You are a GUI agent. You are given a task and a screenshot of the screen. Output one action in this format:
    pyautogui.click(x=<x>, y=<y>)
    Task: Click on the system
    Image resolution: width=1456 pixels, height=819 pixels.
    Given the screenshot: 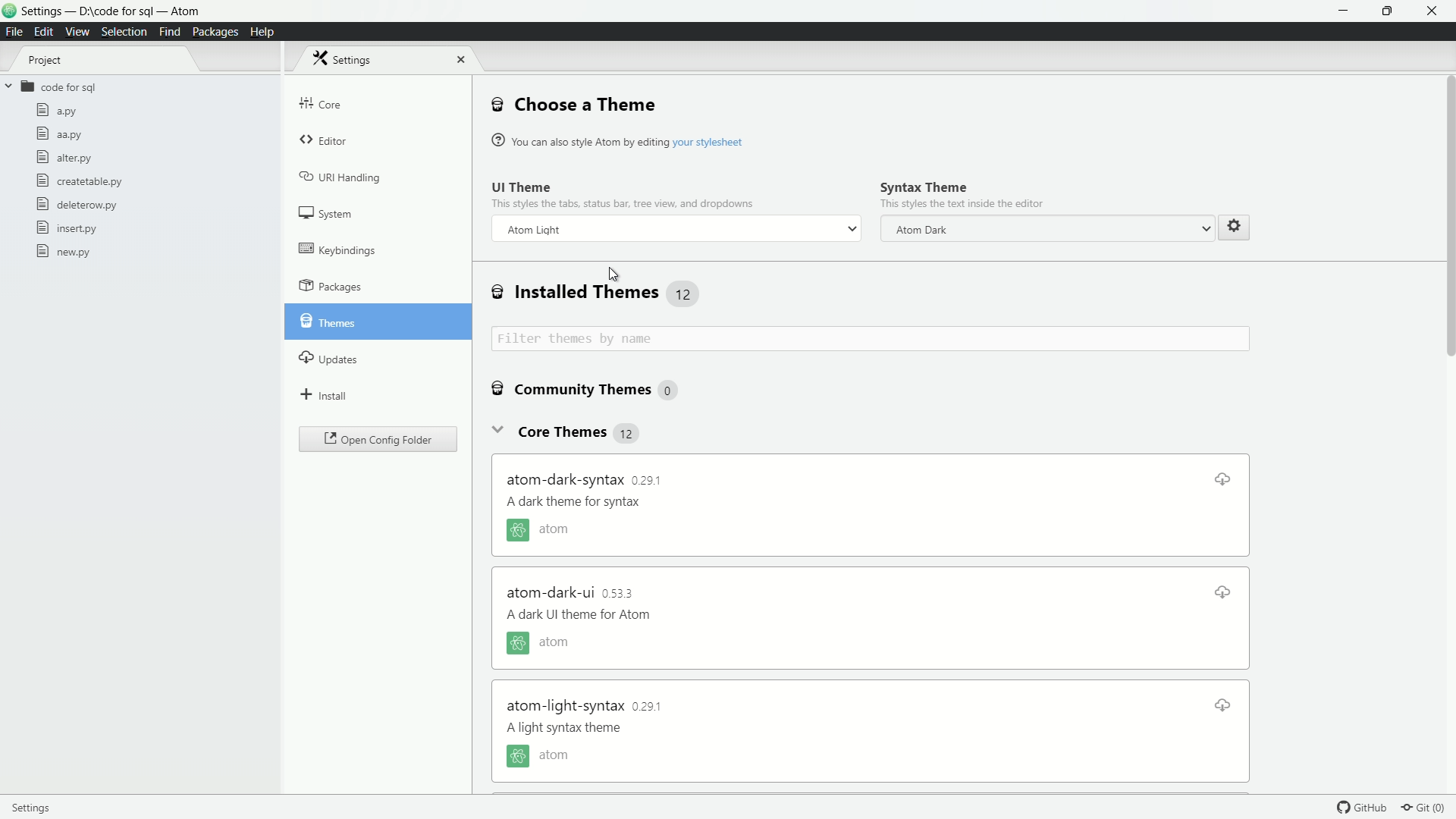 What is the action you would take?
    pyautogui.click(x=329, y=216)
    